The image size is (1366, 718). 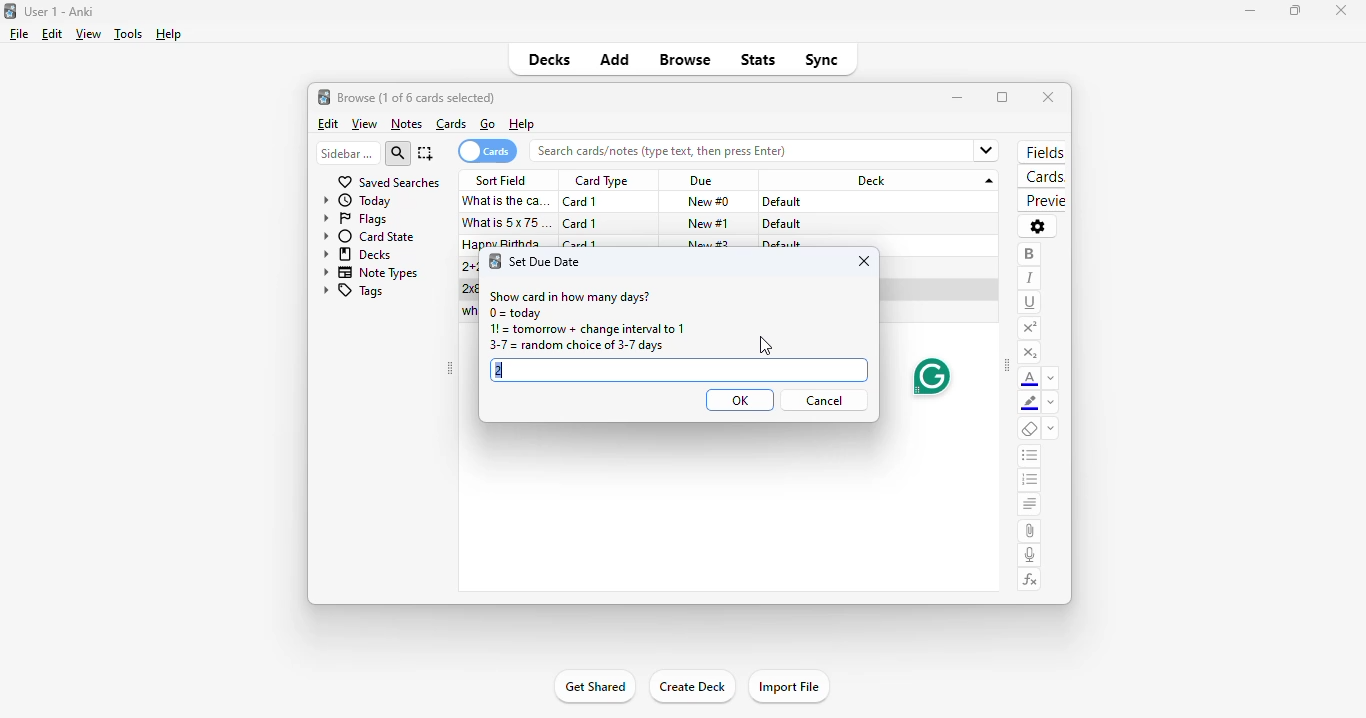 I want to click on change color, so click(x=1051, y=378).